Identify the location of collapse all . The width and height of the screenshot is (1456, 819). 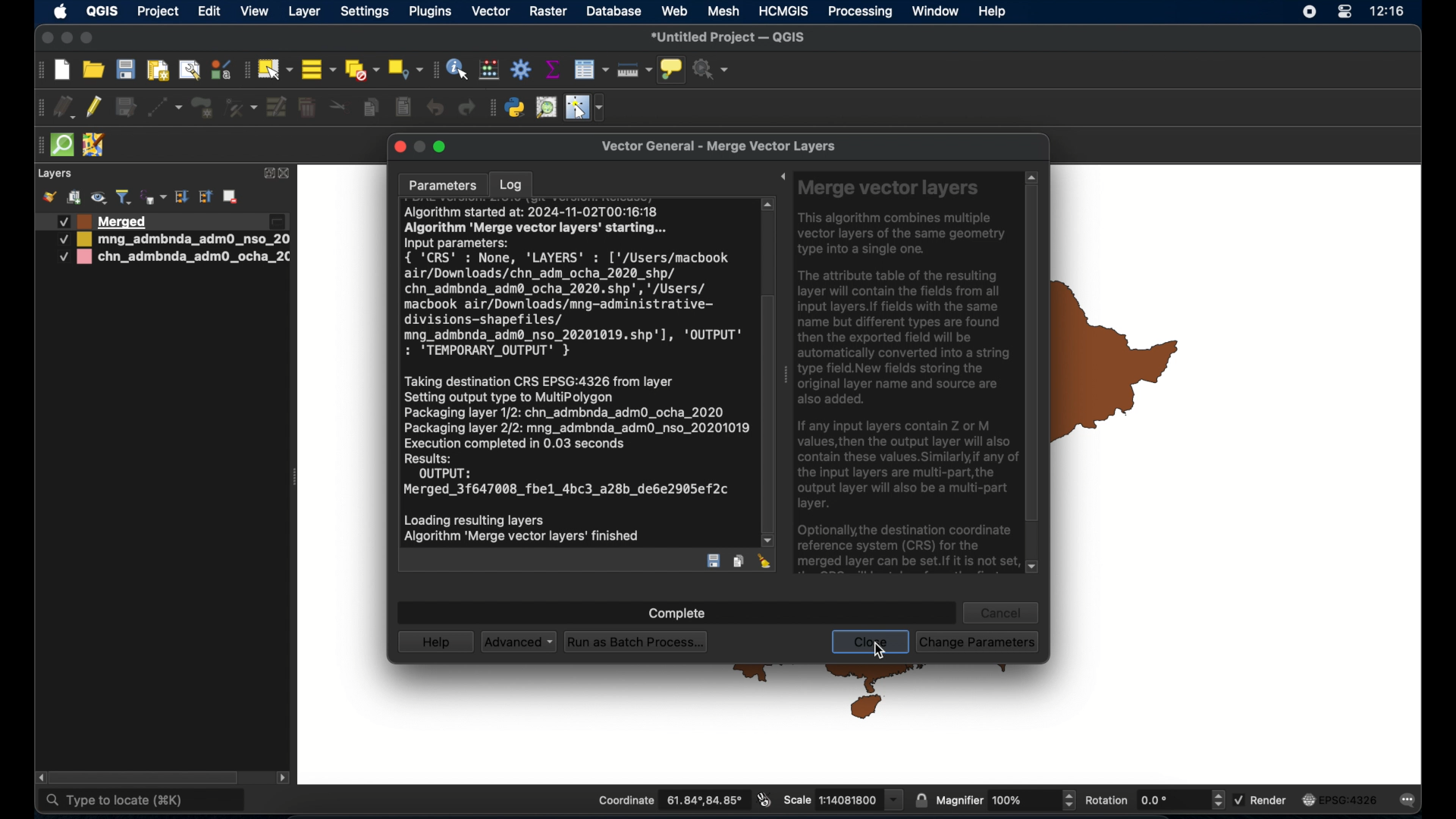
(206, 199).